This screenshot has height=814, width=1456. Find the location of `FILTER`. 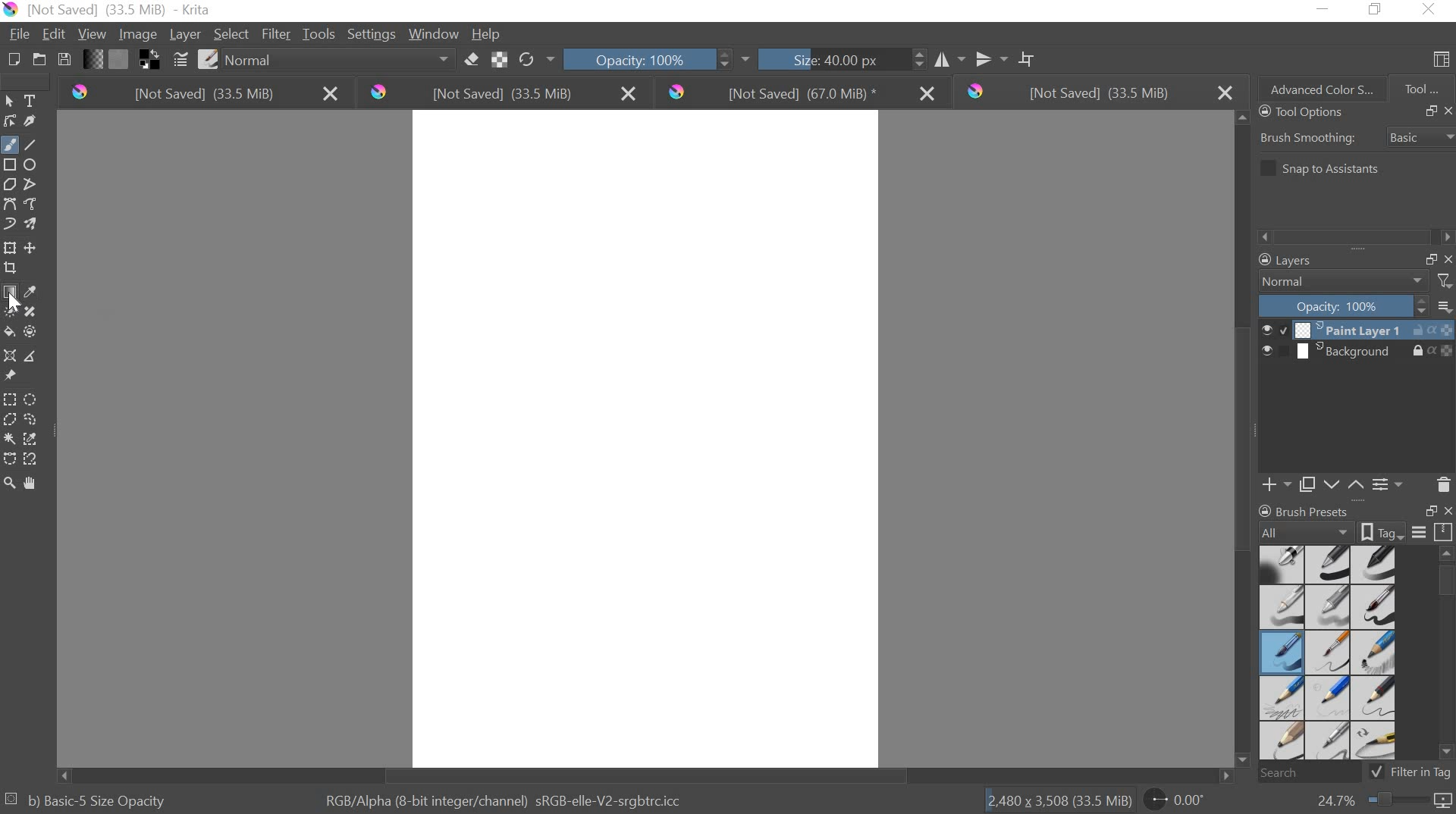

FILTER is located at coordinates (275, 34).